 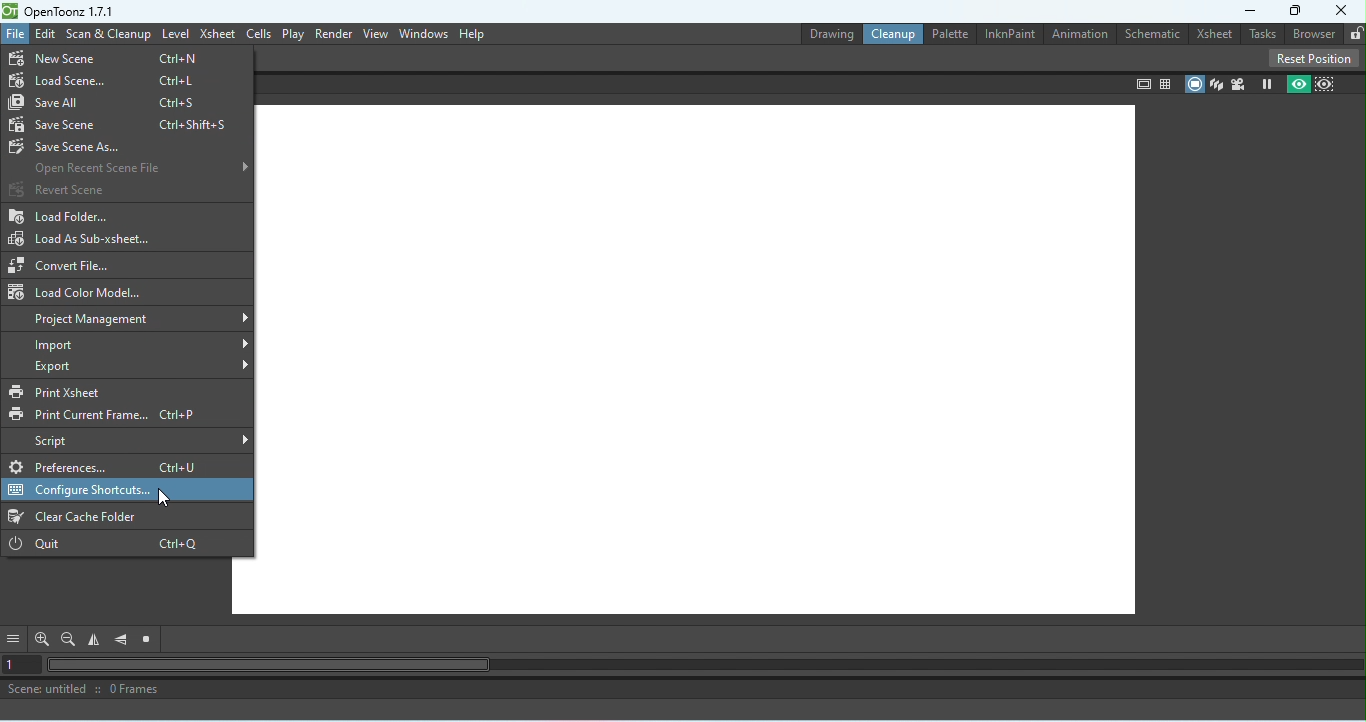 I want to click on InknPaint, so click(x=1008, y=34).